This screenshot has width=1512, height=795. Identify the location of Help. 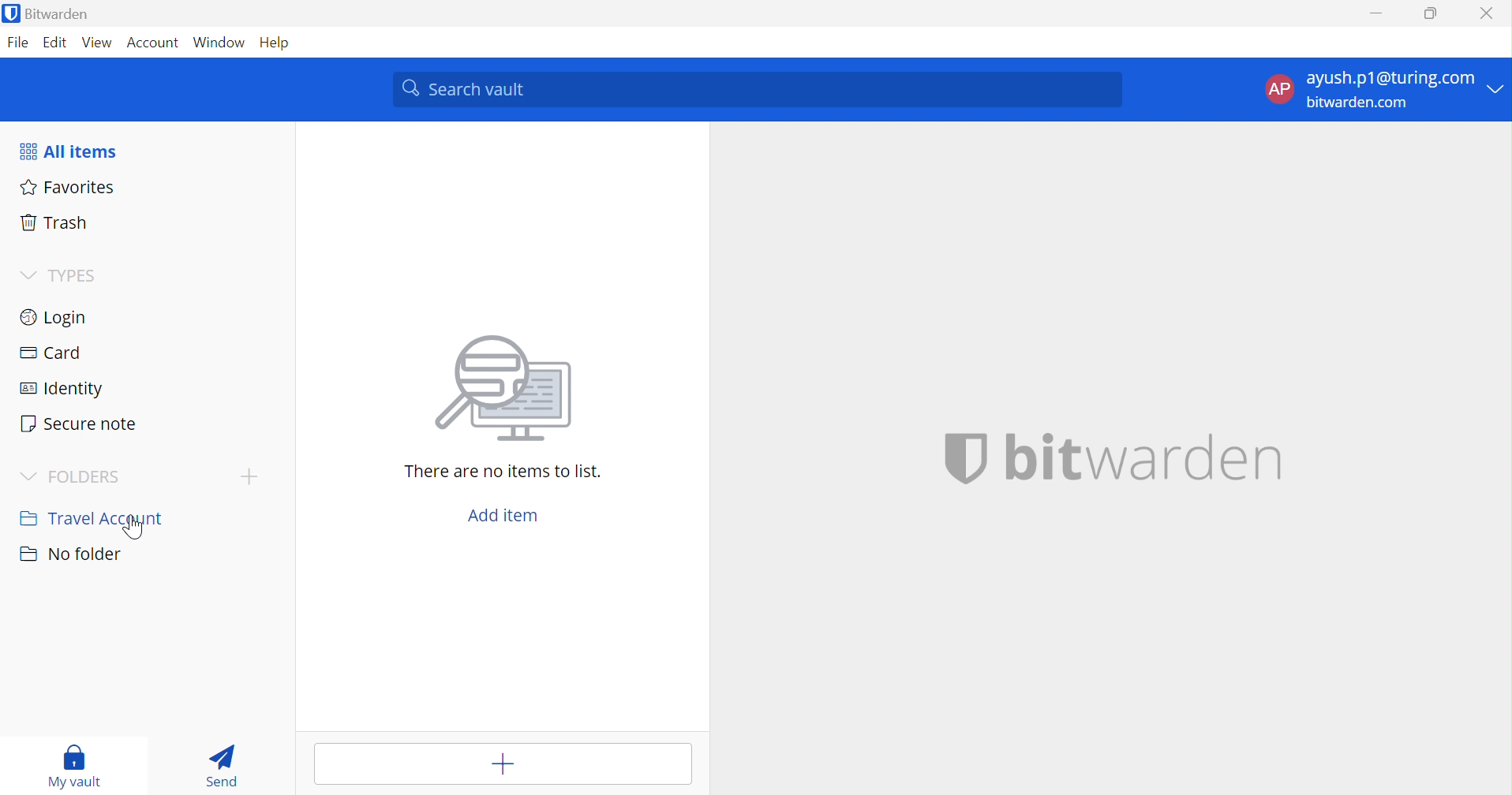
(271, 43).